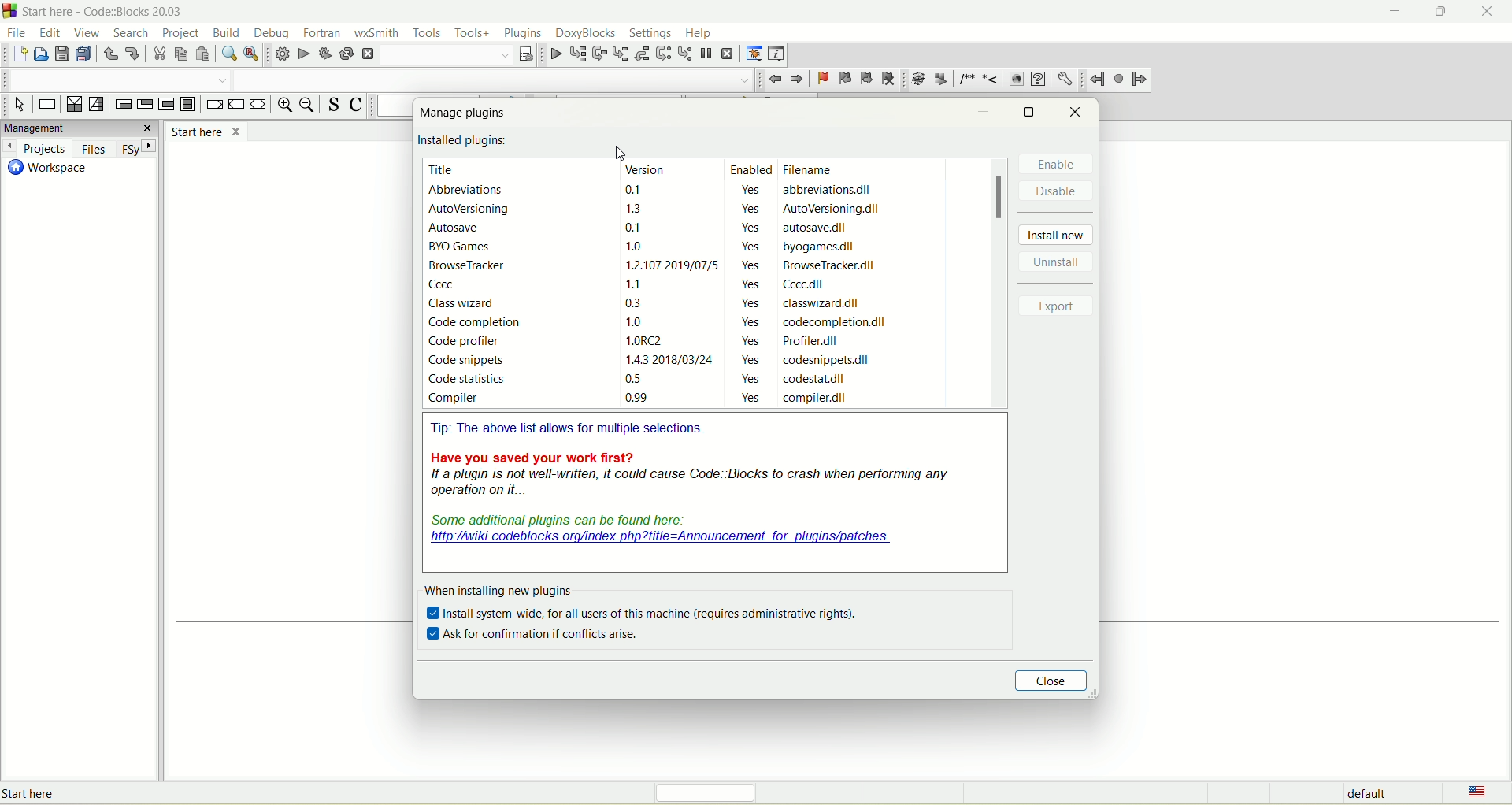 The height and width of the screenshot is (805, 1512). Describe the element at coordinates (73, 104) in the screenshot. I see `decision` at that location.